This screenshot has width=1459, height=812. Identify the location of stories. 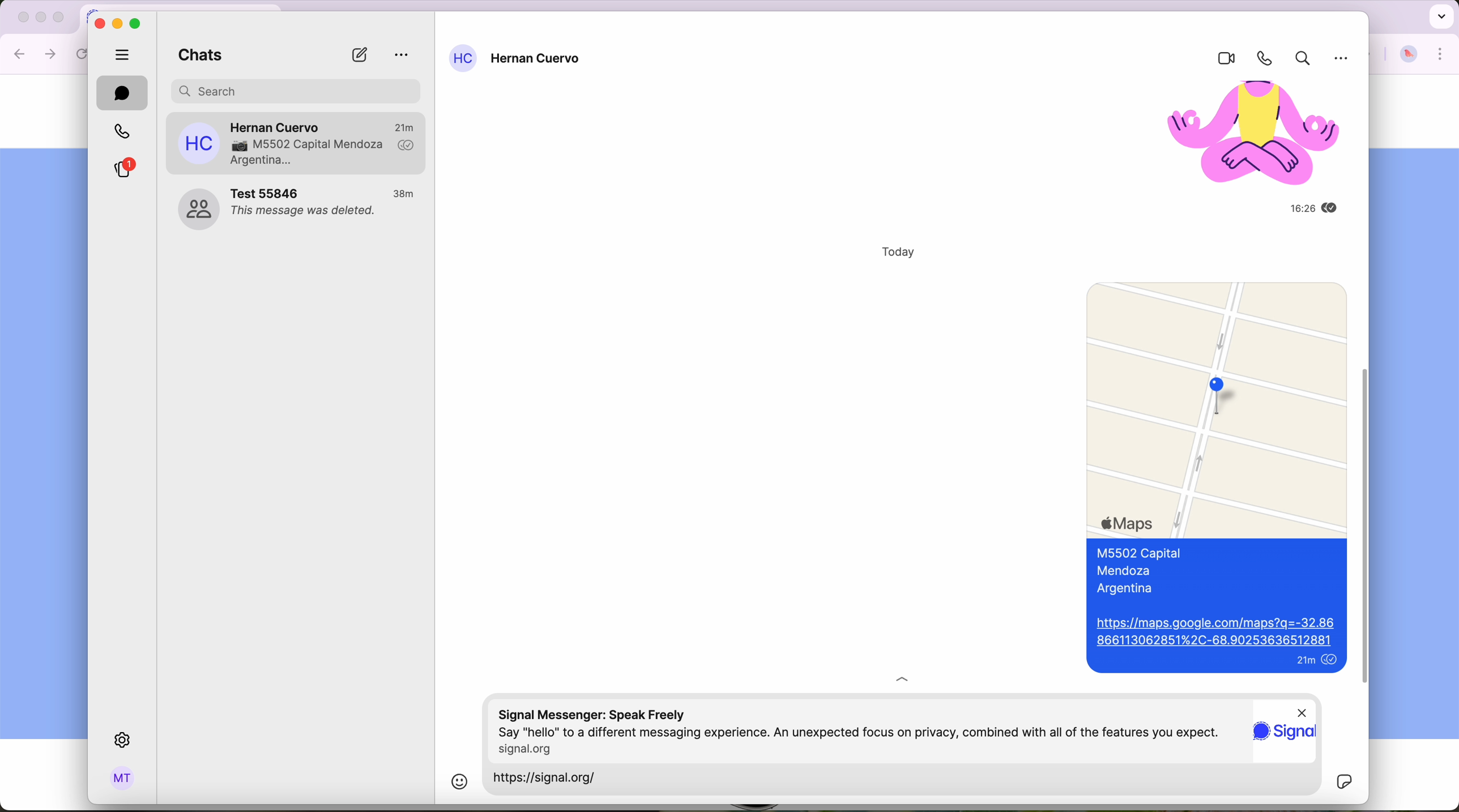
(122, 169).